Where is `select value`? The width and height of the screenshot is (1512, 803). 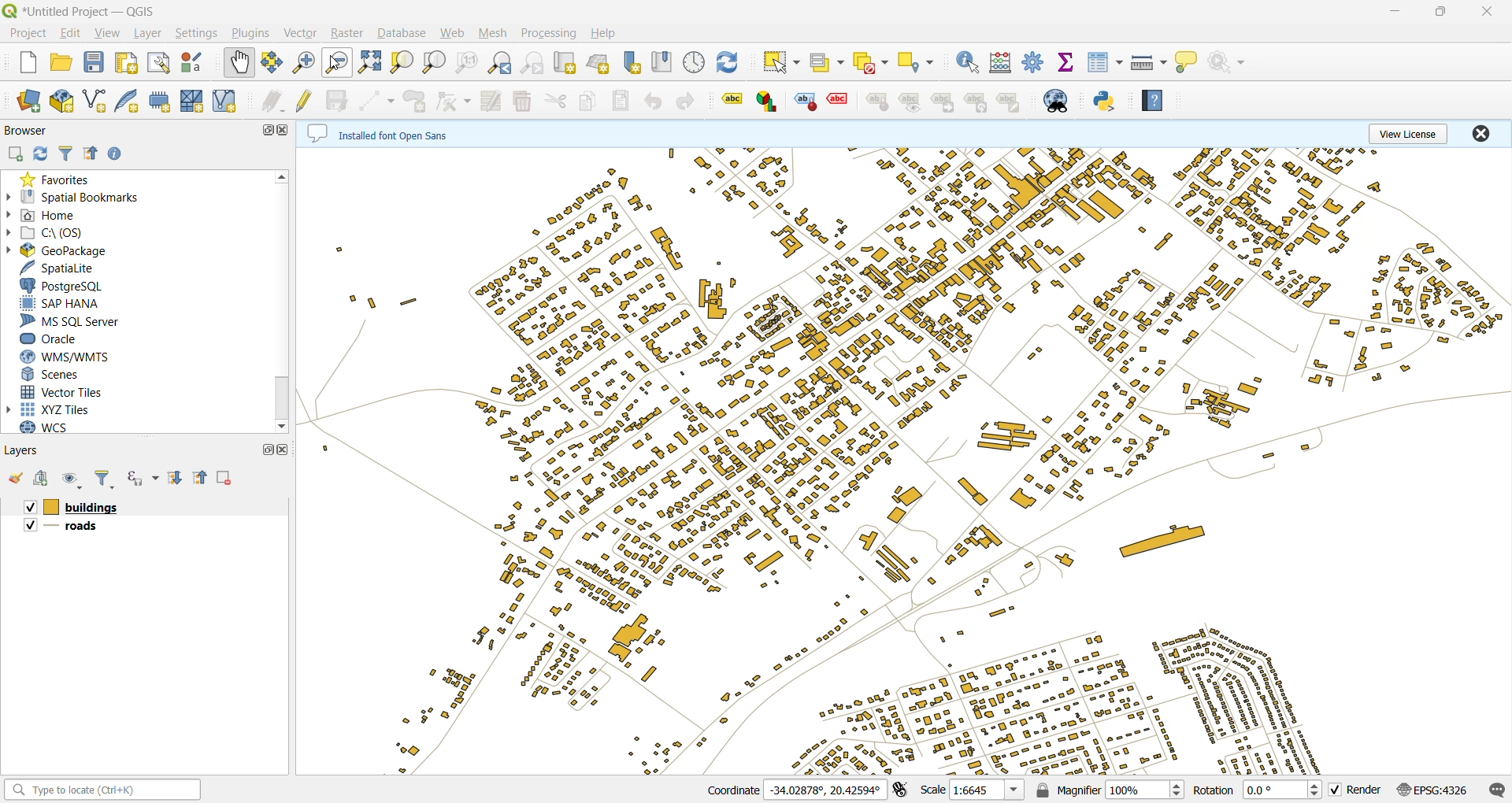
select value is located at coordinates (827, 62).